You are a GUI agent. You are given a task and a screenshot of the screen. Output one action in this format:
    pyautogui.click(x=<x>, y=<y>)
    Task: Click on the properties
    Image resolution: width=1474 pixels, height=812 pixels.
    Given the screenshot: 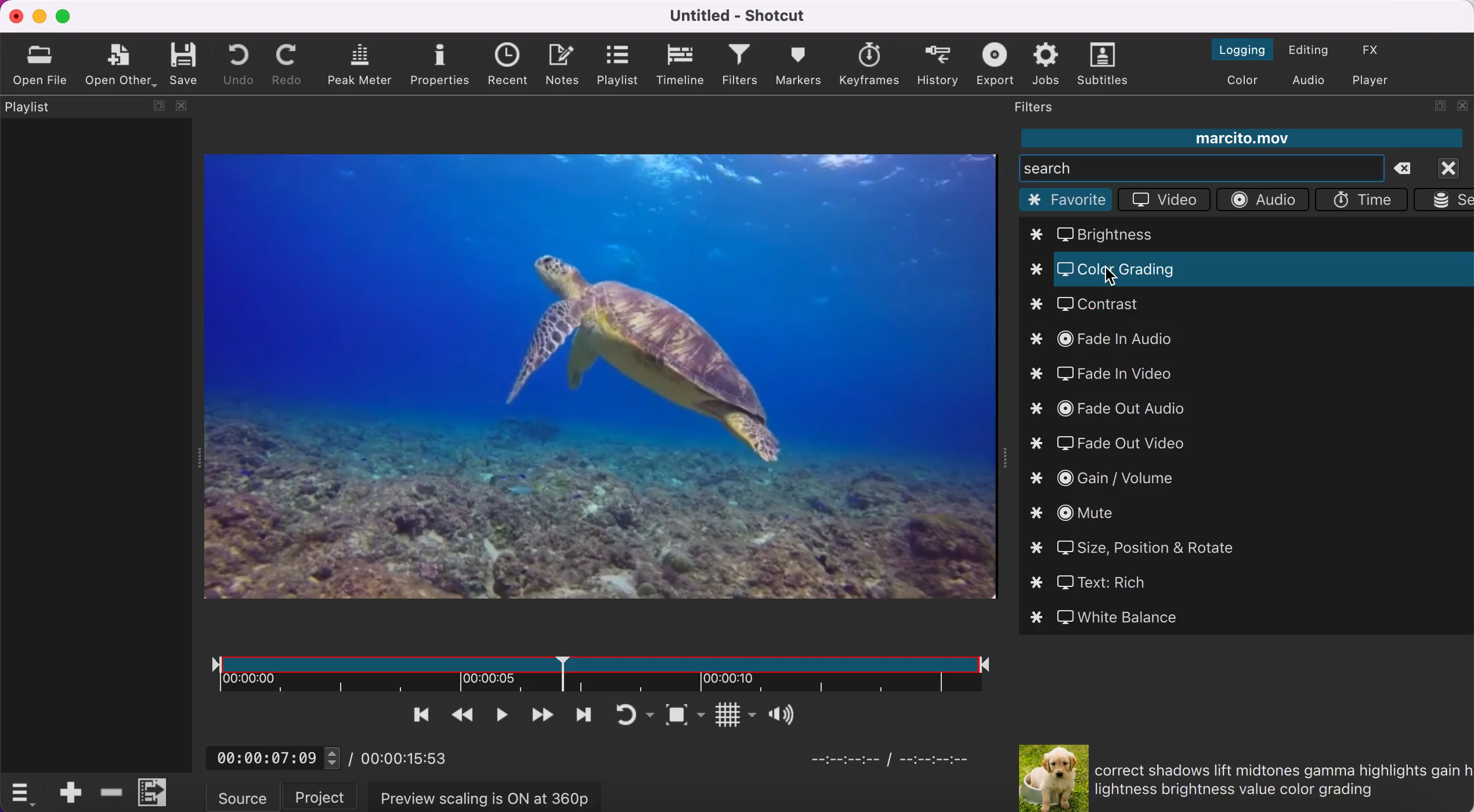 What is the action you would take?
    pyautogui.click(x=440, y=65)
    